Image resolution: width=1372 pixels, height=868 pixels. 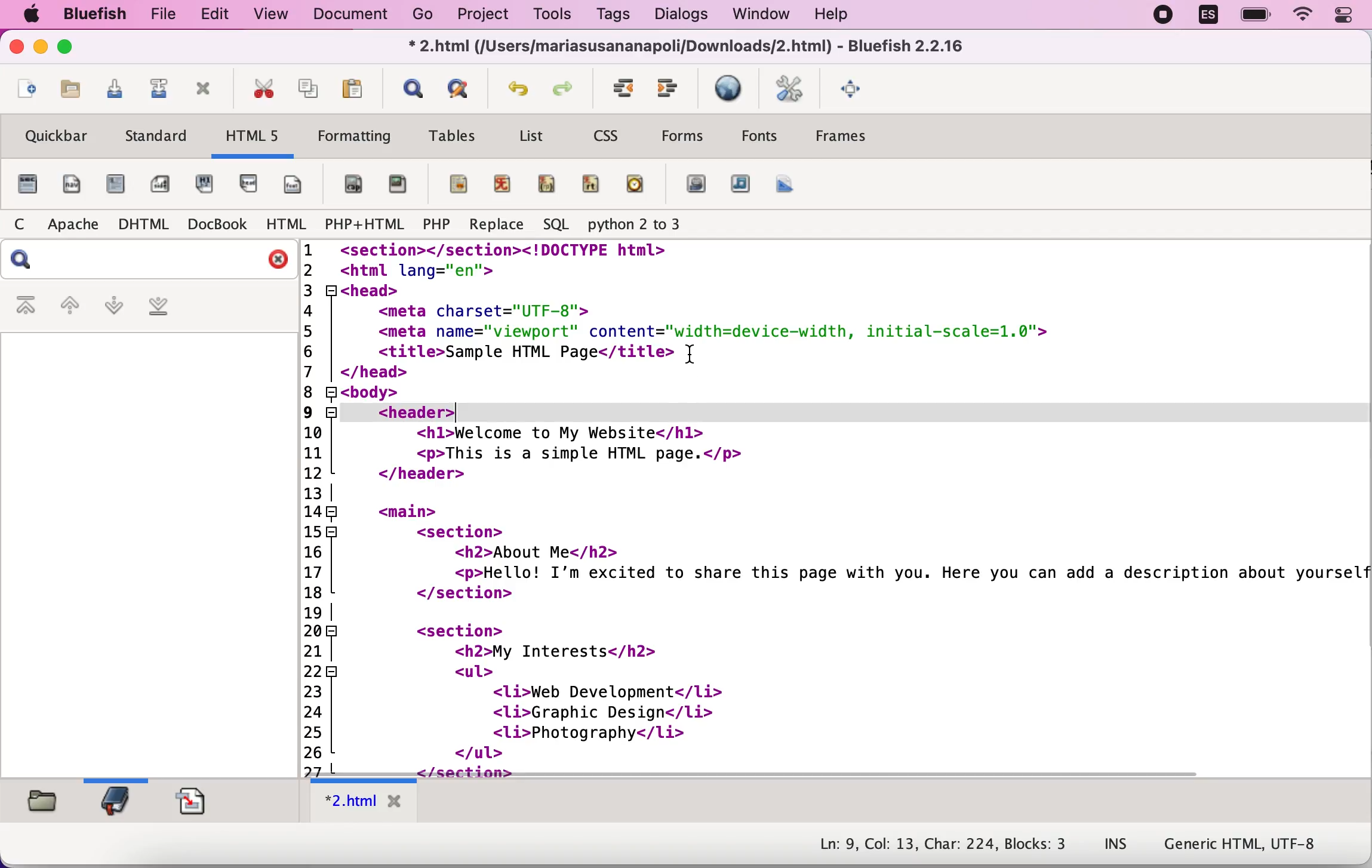 What do you see at coordinates (173, 307) in the screenshot?
I see `last bookmark` at bounding box center [173, 307].